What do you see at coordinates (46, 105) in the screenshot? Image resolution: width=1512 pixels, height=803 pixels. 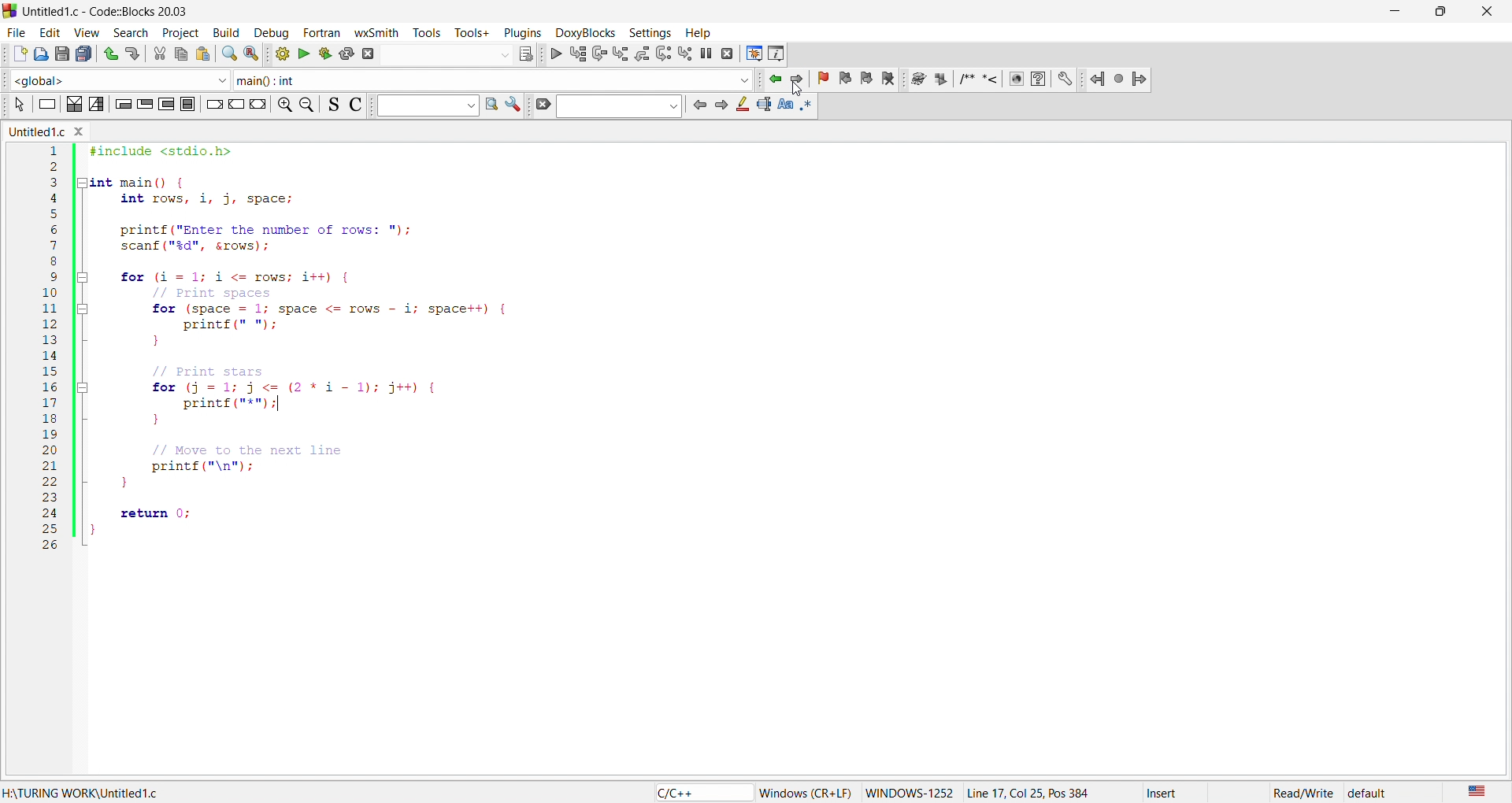 I see `icon` at bounding box center [46, 105].